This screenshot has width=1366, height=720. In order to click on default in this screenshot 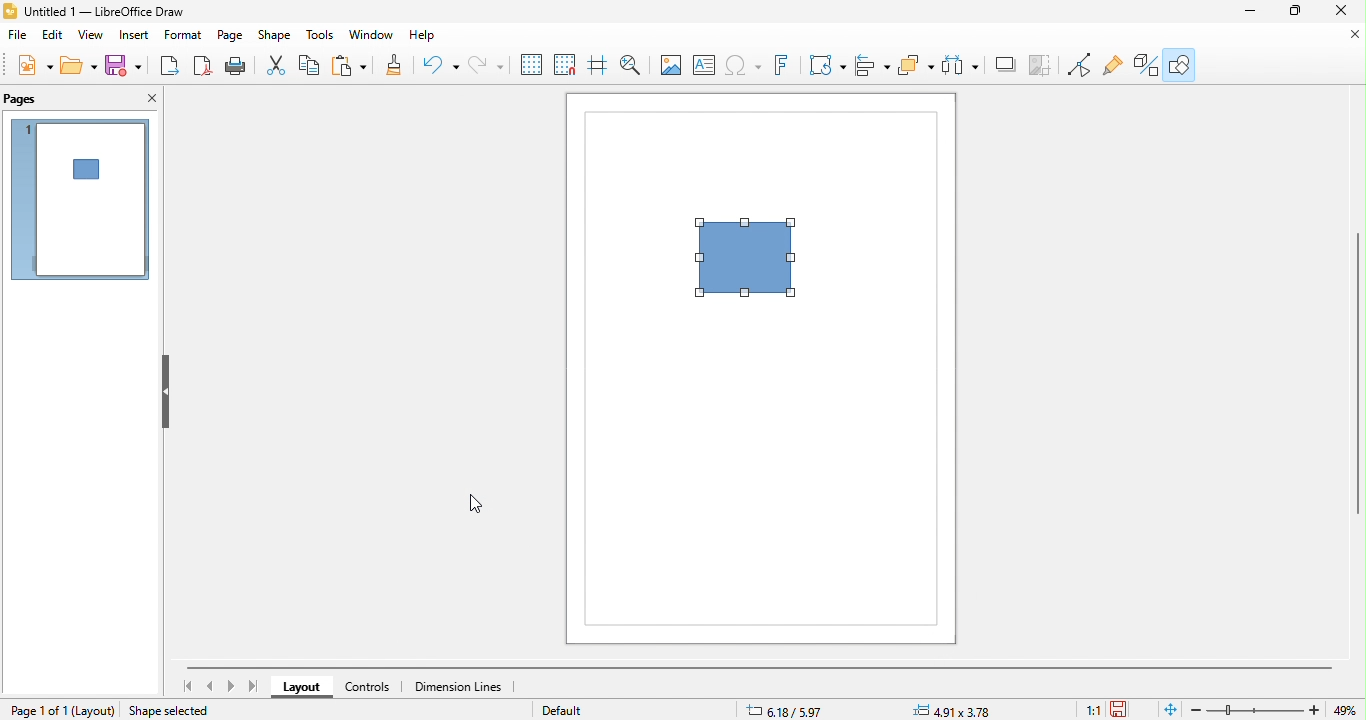, I will do `click(575, 709)`.